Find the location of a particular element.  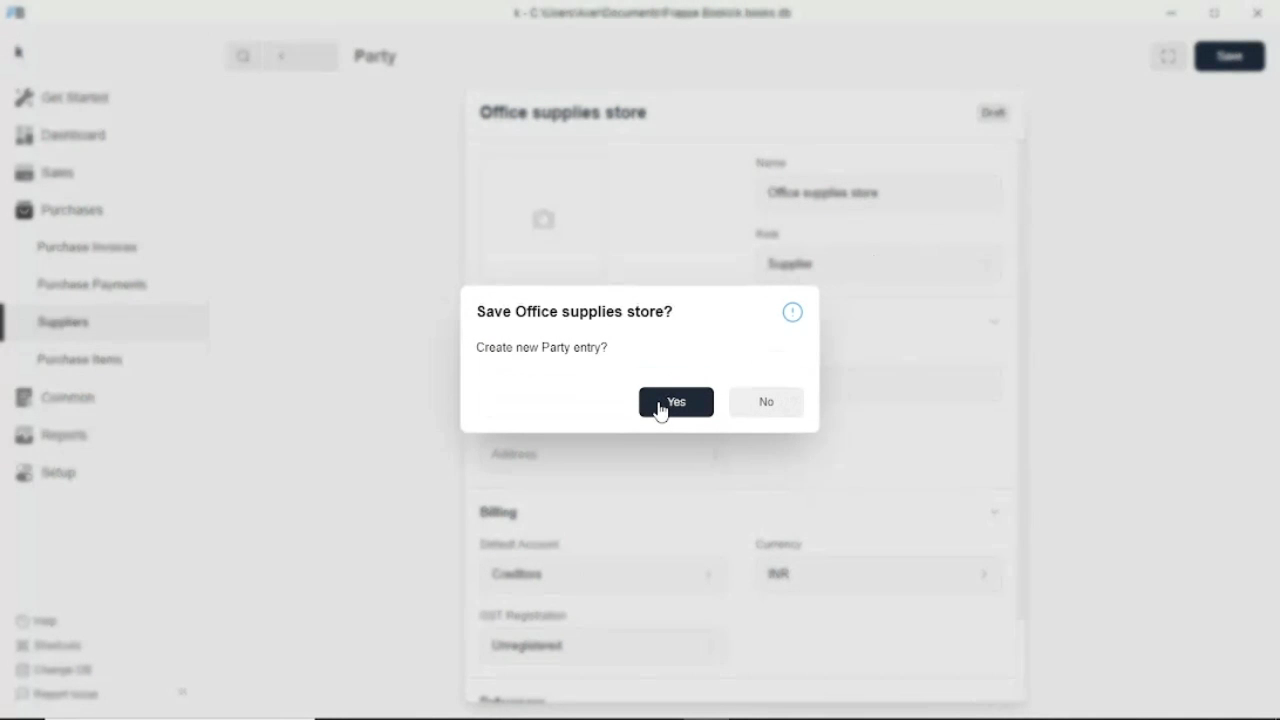

Create new party entry? is located at coordinates (543, 349).